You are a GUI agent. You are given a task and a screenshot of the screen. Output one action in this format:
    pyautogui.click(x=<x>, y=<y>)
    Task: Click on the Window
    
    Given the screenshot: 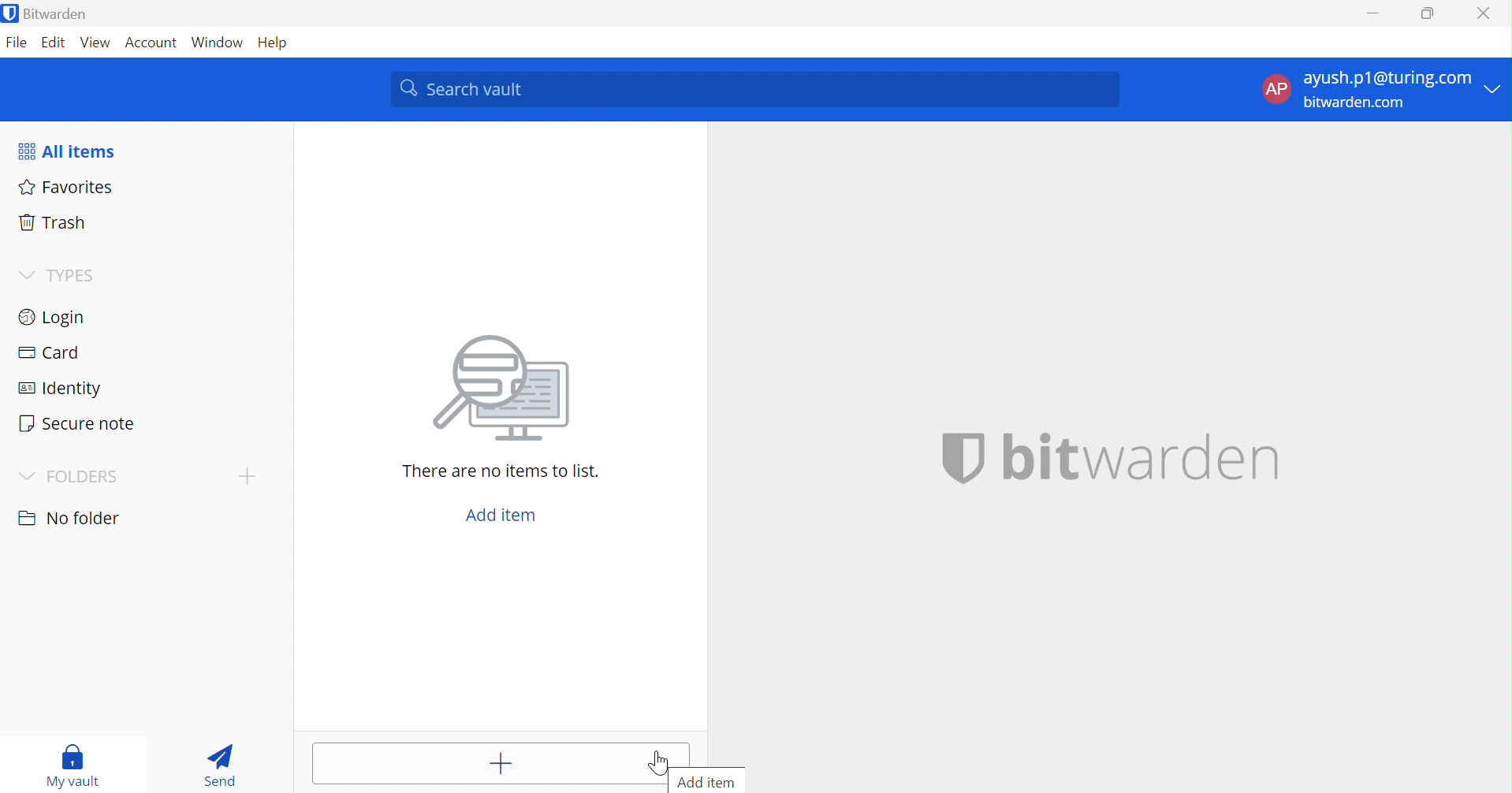 What is the action you would take?
    pyautogui.click(x=220, y=43)
    